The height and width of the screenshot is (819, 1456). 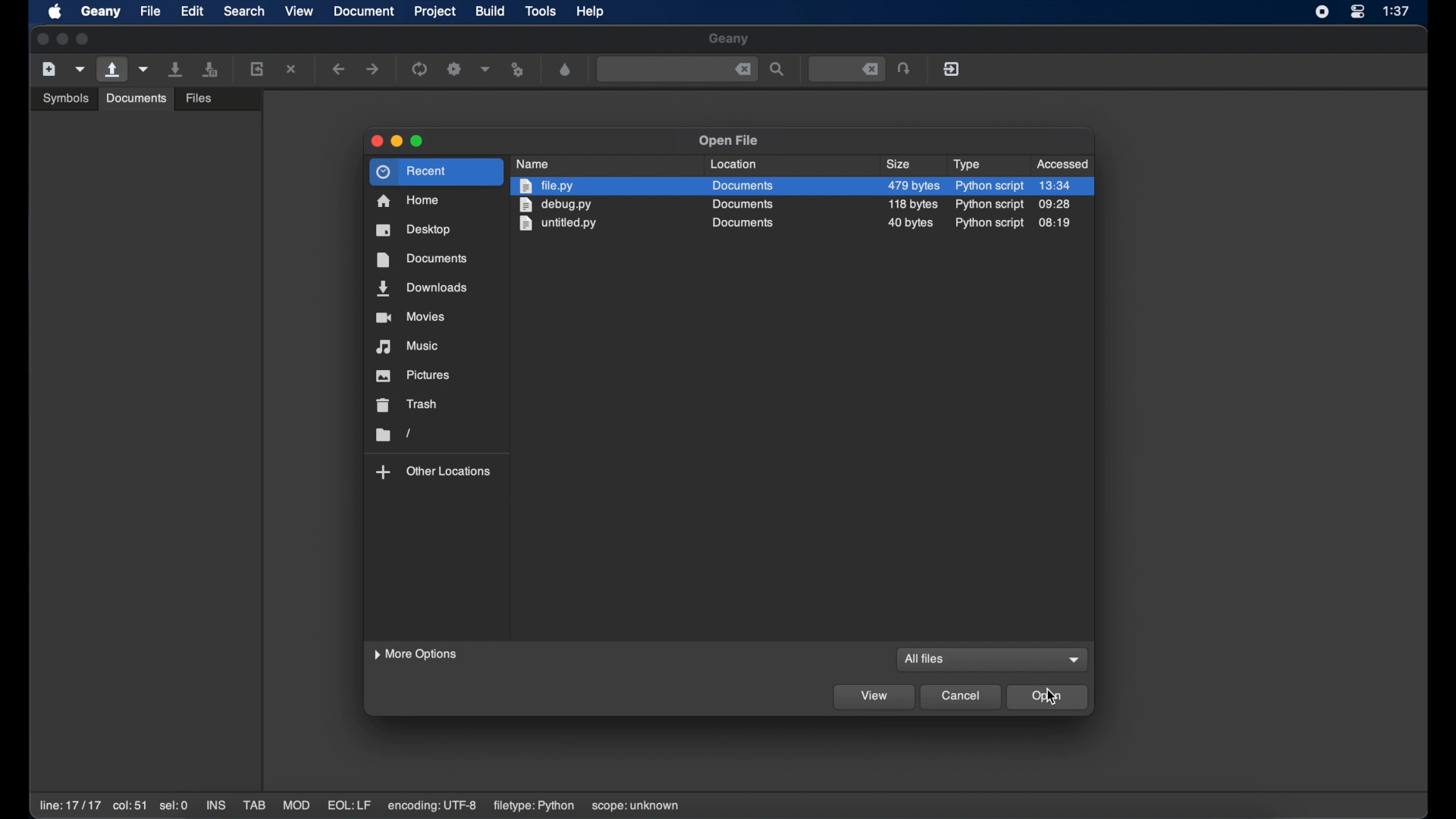 I want to click on pictures, so click(x=414, y=375).